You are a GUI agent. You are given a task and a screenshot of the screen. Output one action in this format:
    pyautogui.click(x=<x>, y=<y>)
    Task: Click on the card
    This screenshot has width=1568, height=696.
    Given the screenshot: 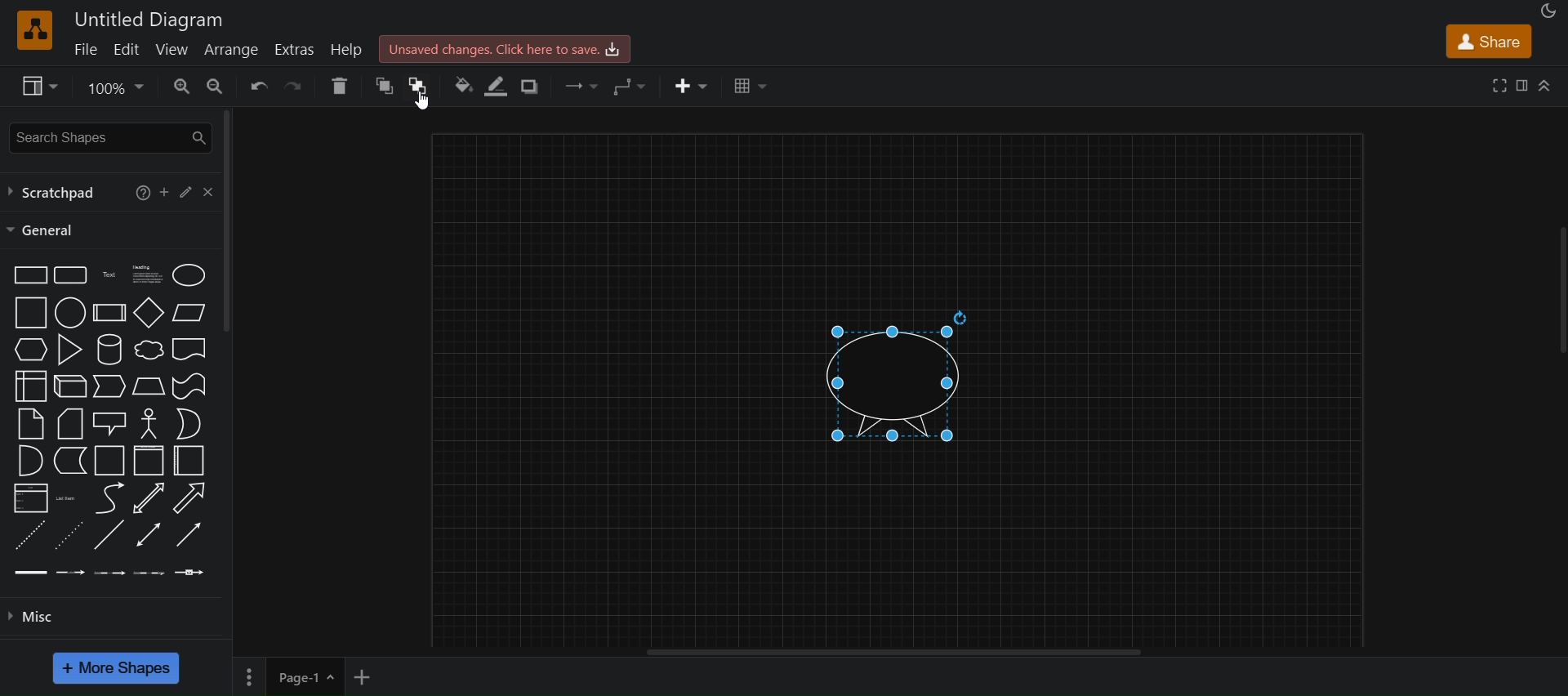 What is the action you would take?
    pyautogui.click(x=69, y=422)
    